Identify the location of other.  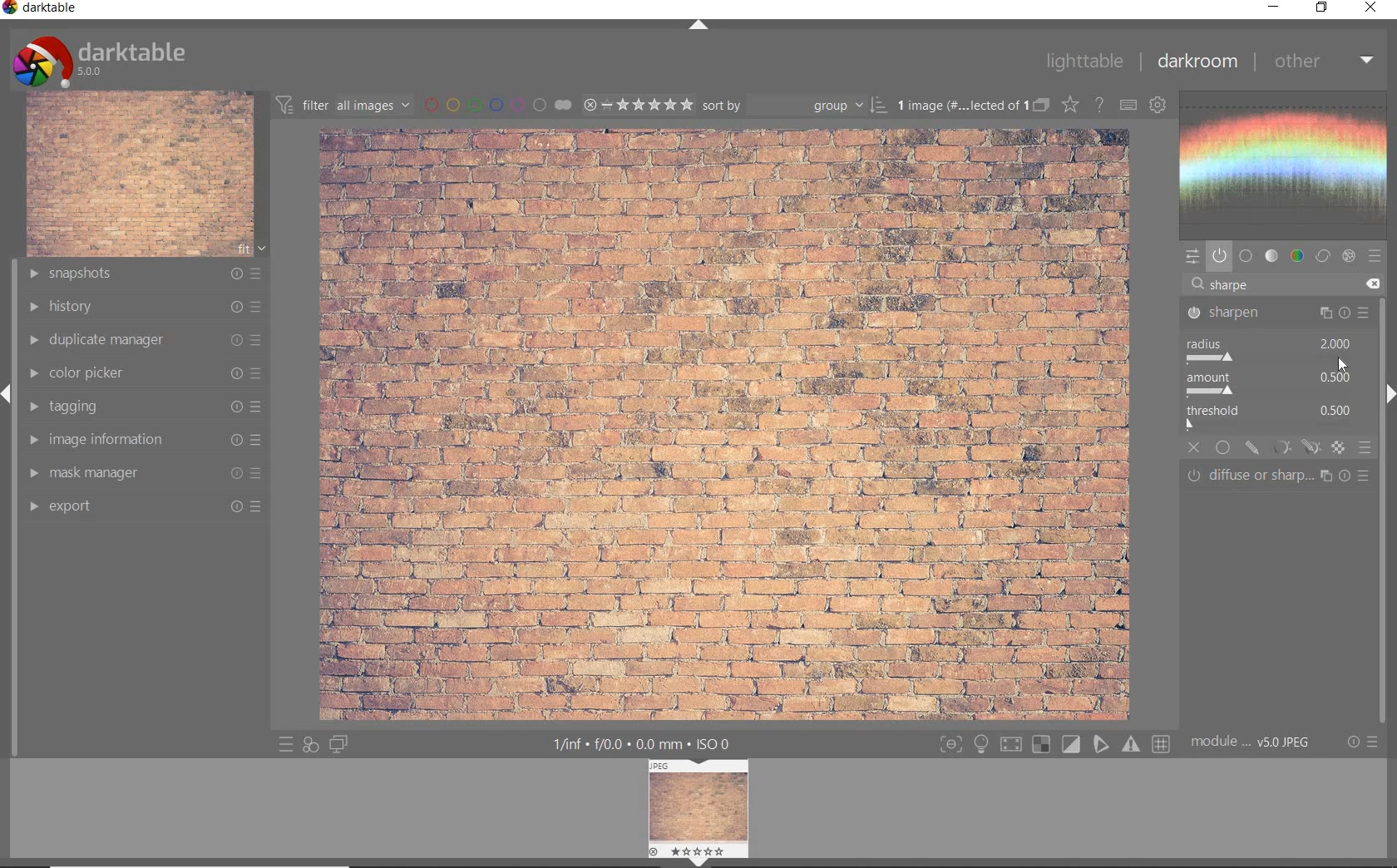
(1325, 62).